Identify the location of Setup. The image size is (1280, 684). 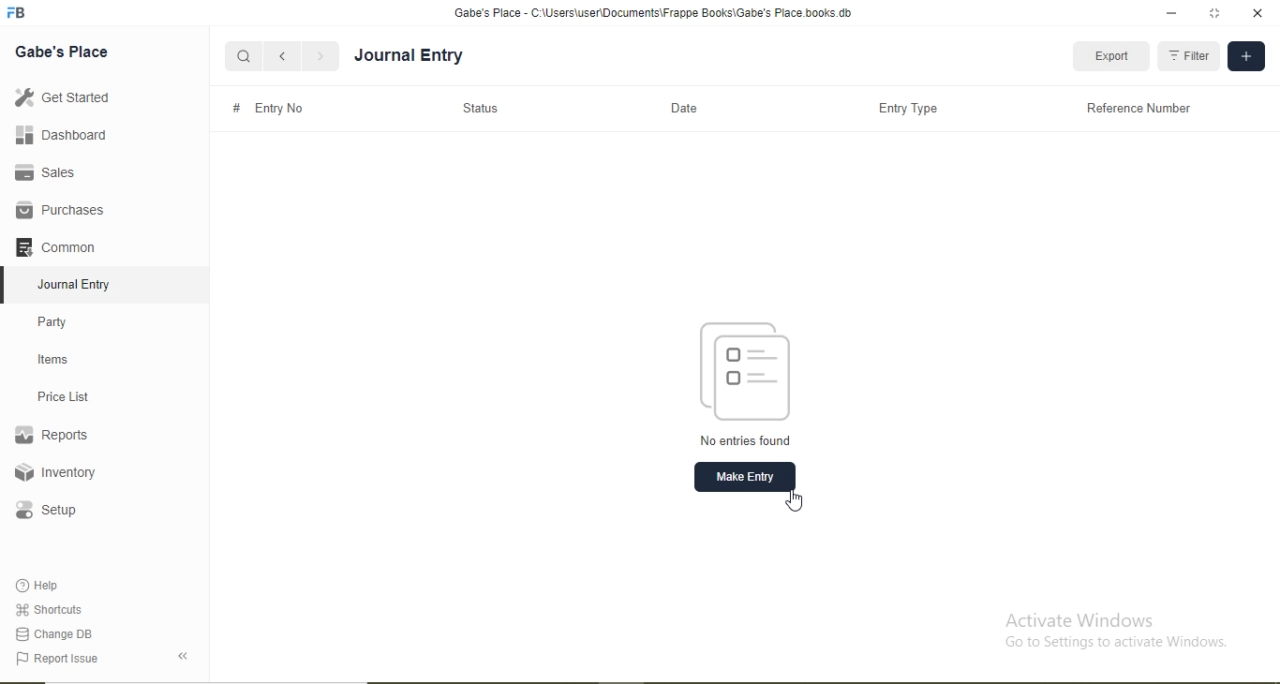
(45, 510).